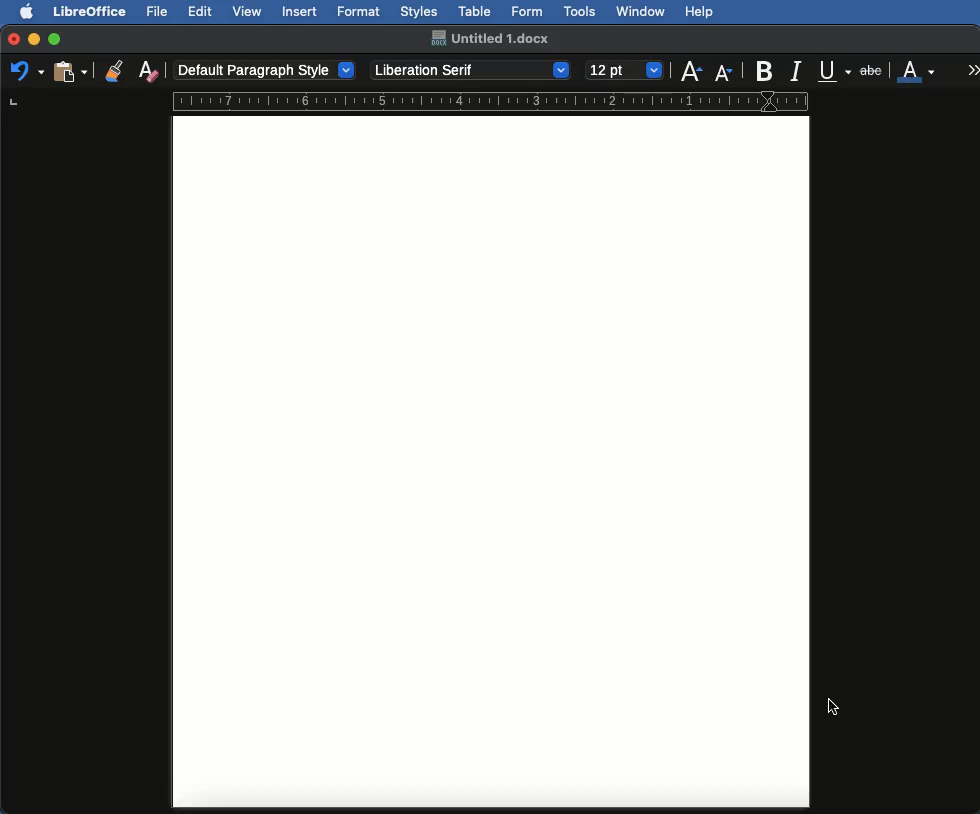  Describe the element at coordinates (418, 11) in the screenshot. I see `Styles` at that location.